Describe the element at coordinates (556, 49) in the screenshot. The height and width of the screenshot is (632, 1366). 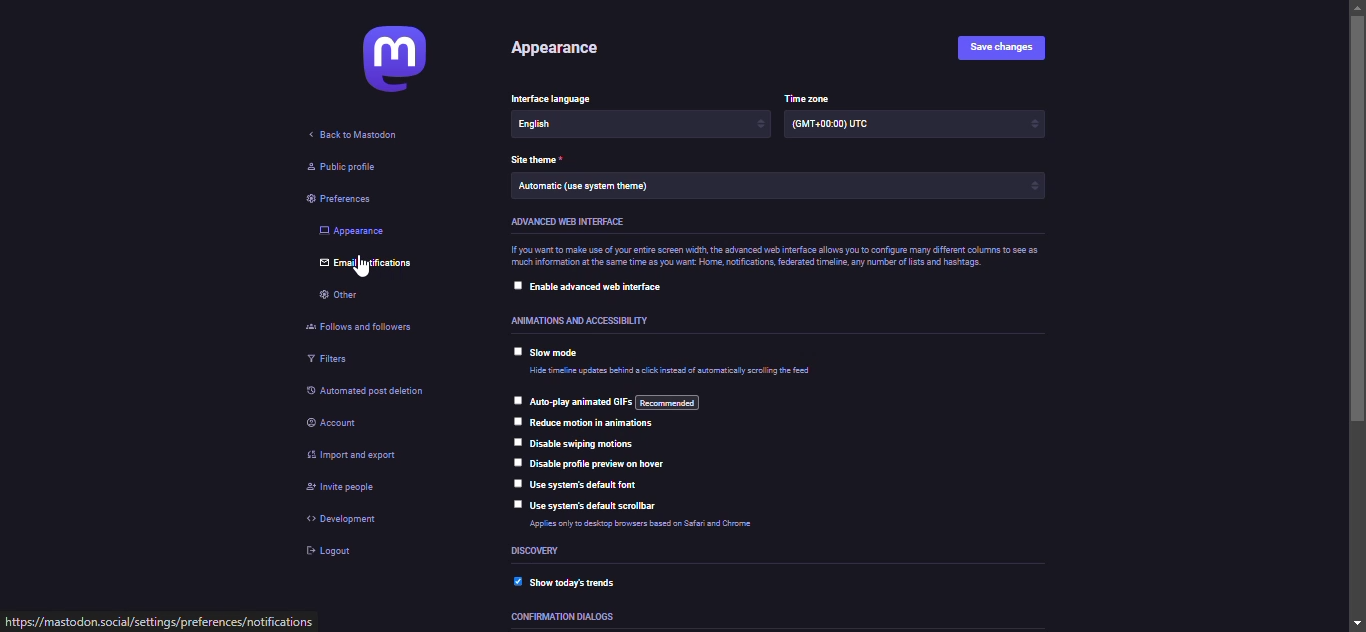
I see `appearance` at that location.